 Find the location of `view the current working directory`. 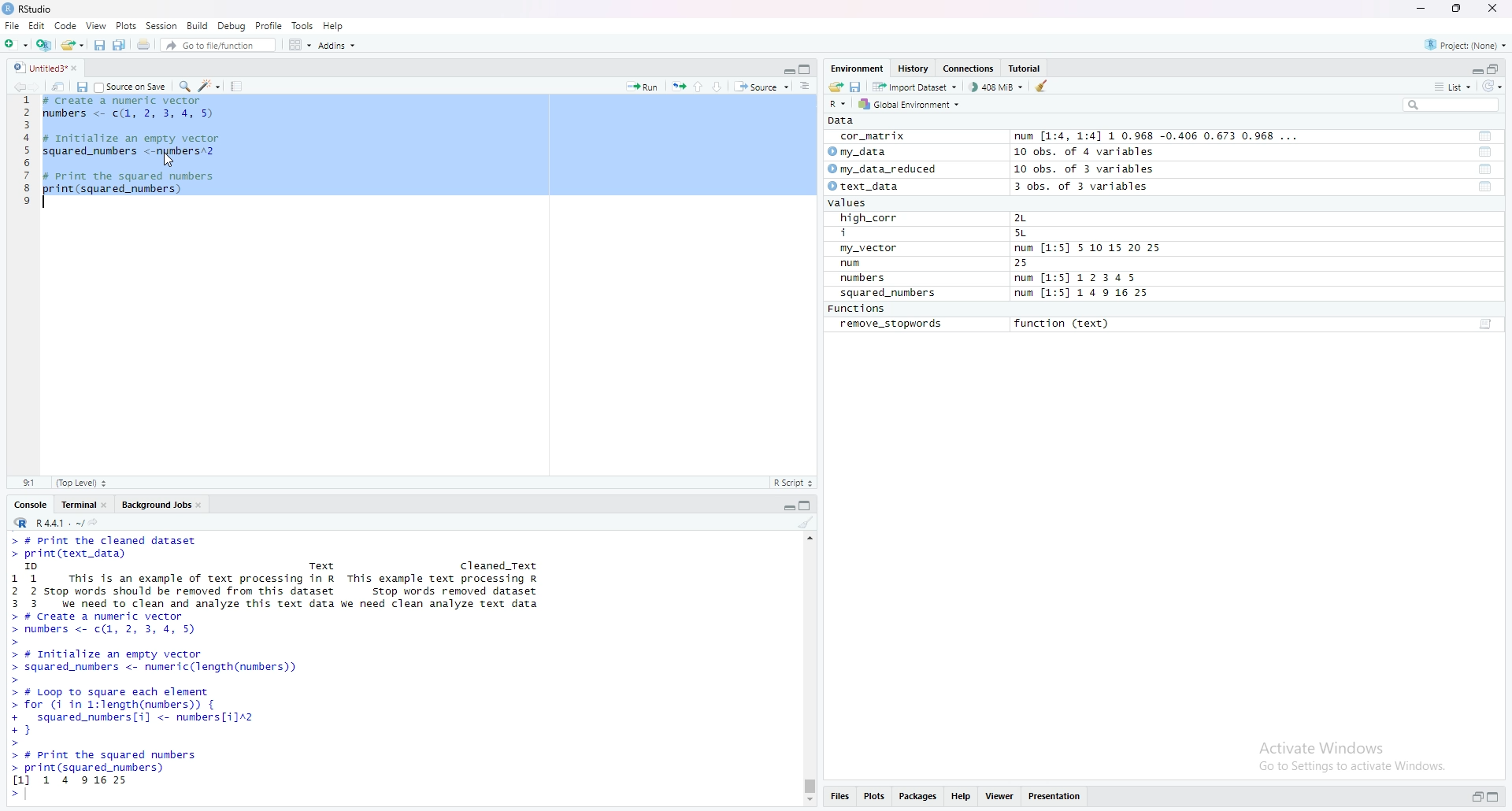

view the current working directory is located at coordinates (94, 521).